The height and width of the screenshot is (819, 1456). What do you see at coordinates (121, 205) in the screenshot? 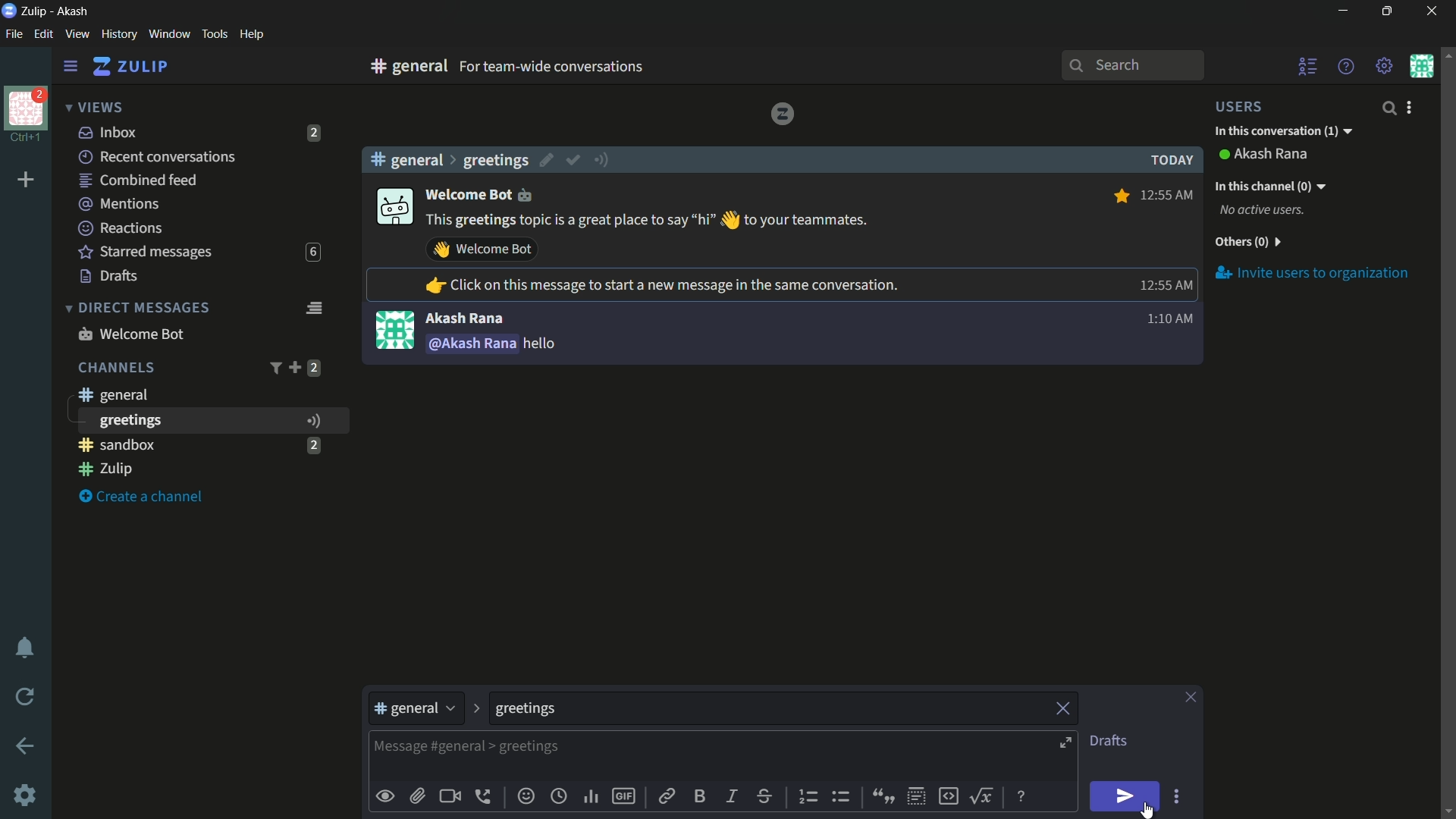
I see `mentions` at bounding box center [121, 205].